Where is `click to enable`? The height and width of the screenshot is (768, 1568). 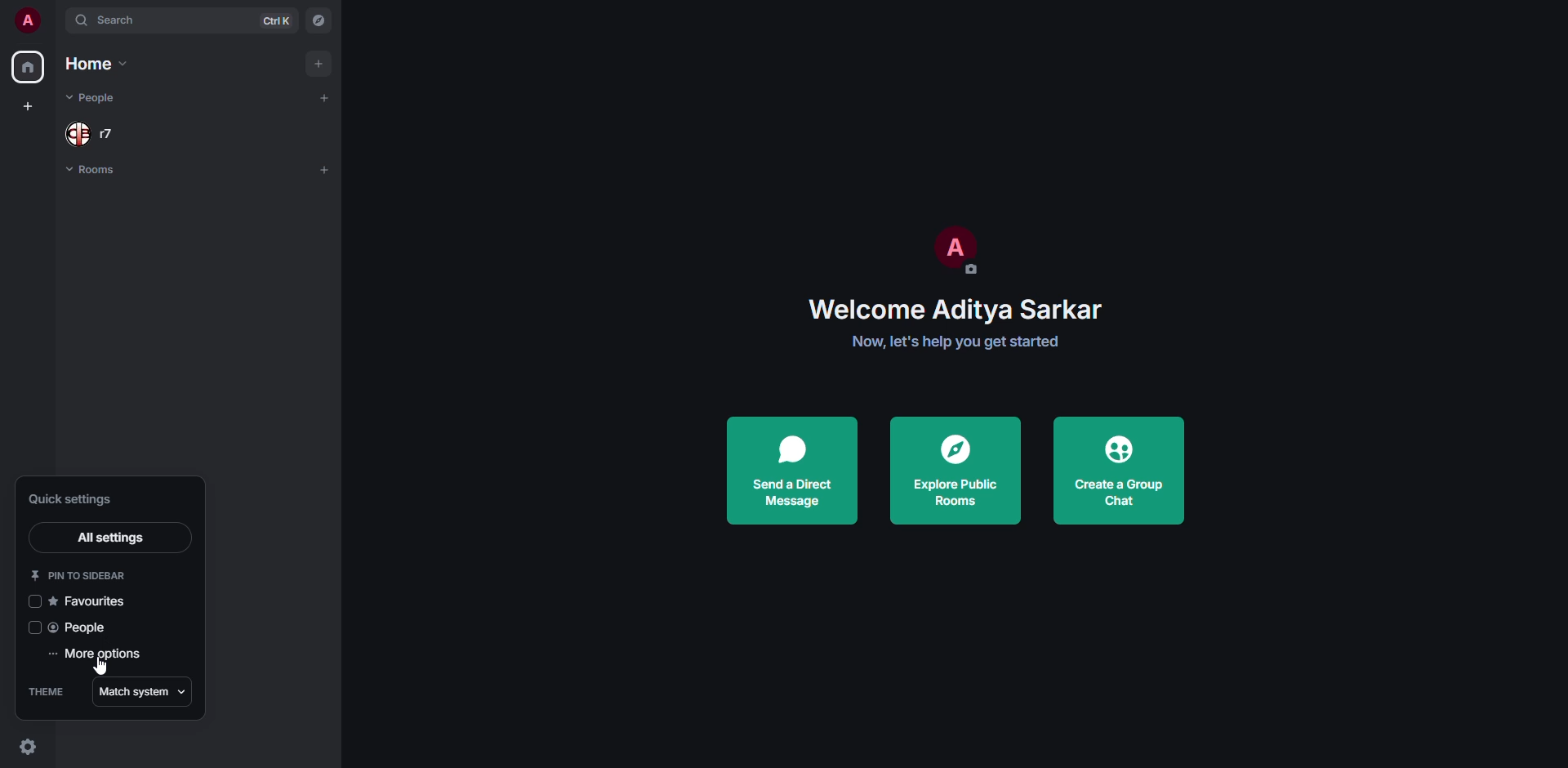
click to enable is located at coordinates (31, 628).